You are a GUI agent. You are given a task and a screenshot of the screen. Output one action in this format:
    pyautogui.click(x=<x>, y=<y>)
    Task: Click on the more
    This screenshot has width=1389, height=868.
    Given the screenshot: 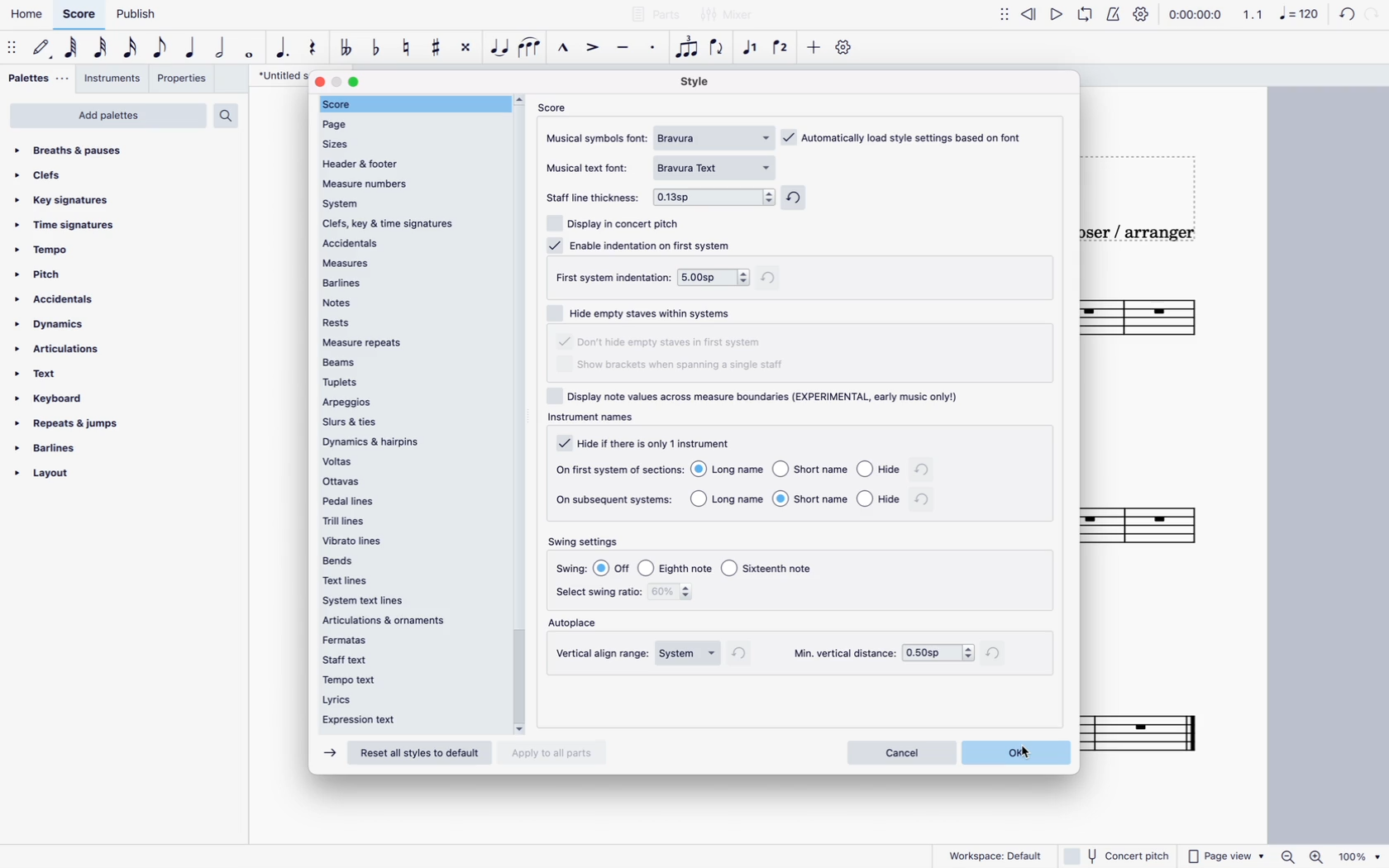 What is the action you would take?
    pyautogui.click(x=1001, y=12)
    